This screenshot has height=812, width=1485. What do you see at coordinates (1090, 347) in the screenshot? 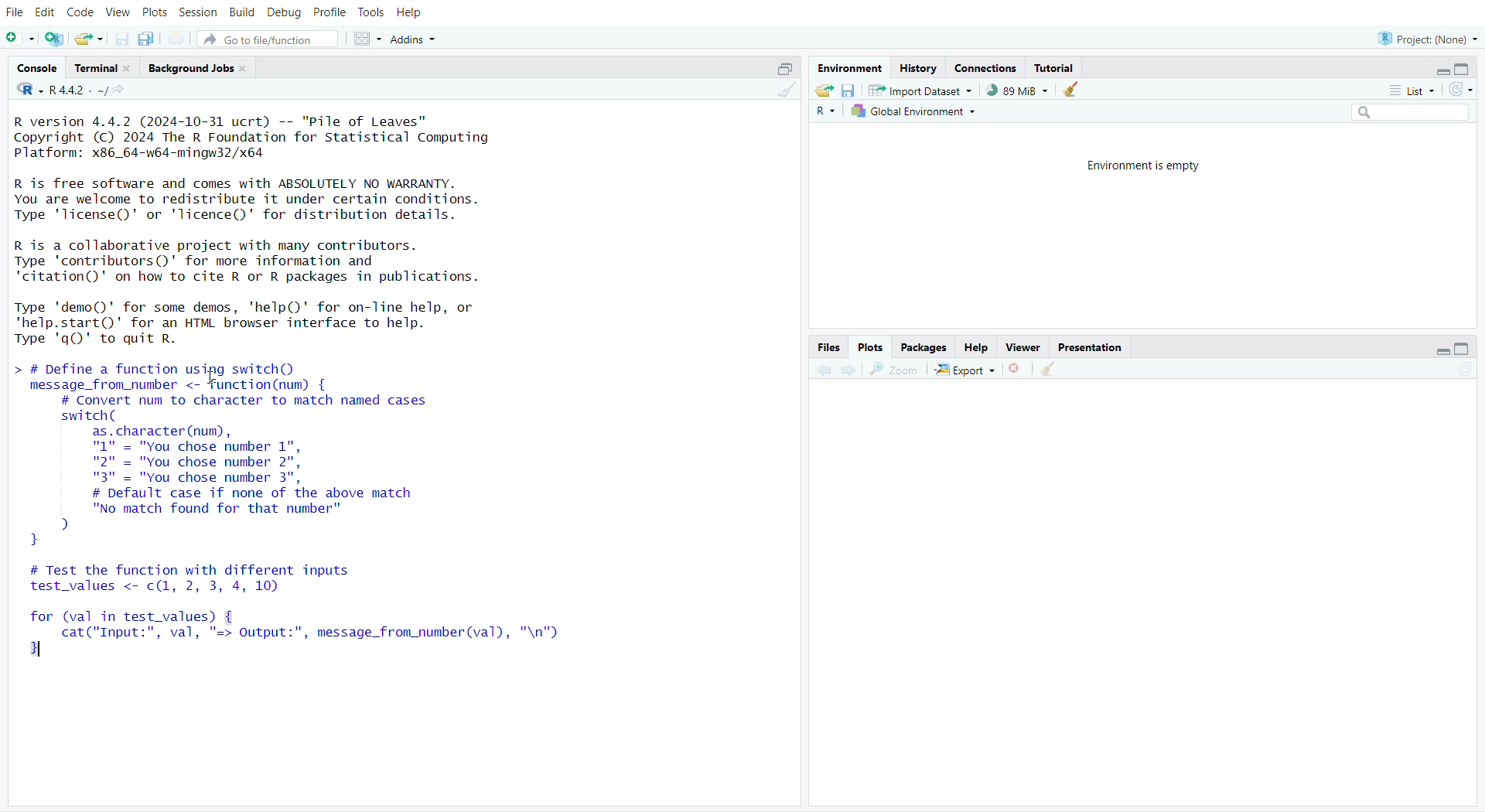
I see `Presentation` at bounding box center [1090, 347].